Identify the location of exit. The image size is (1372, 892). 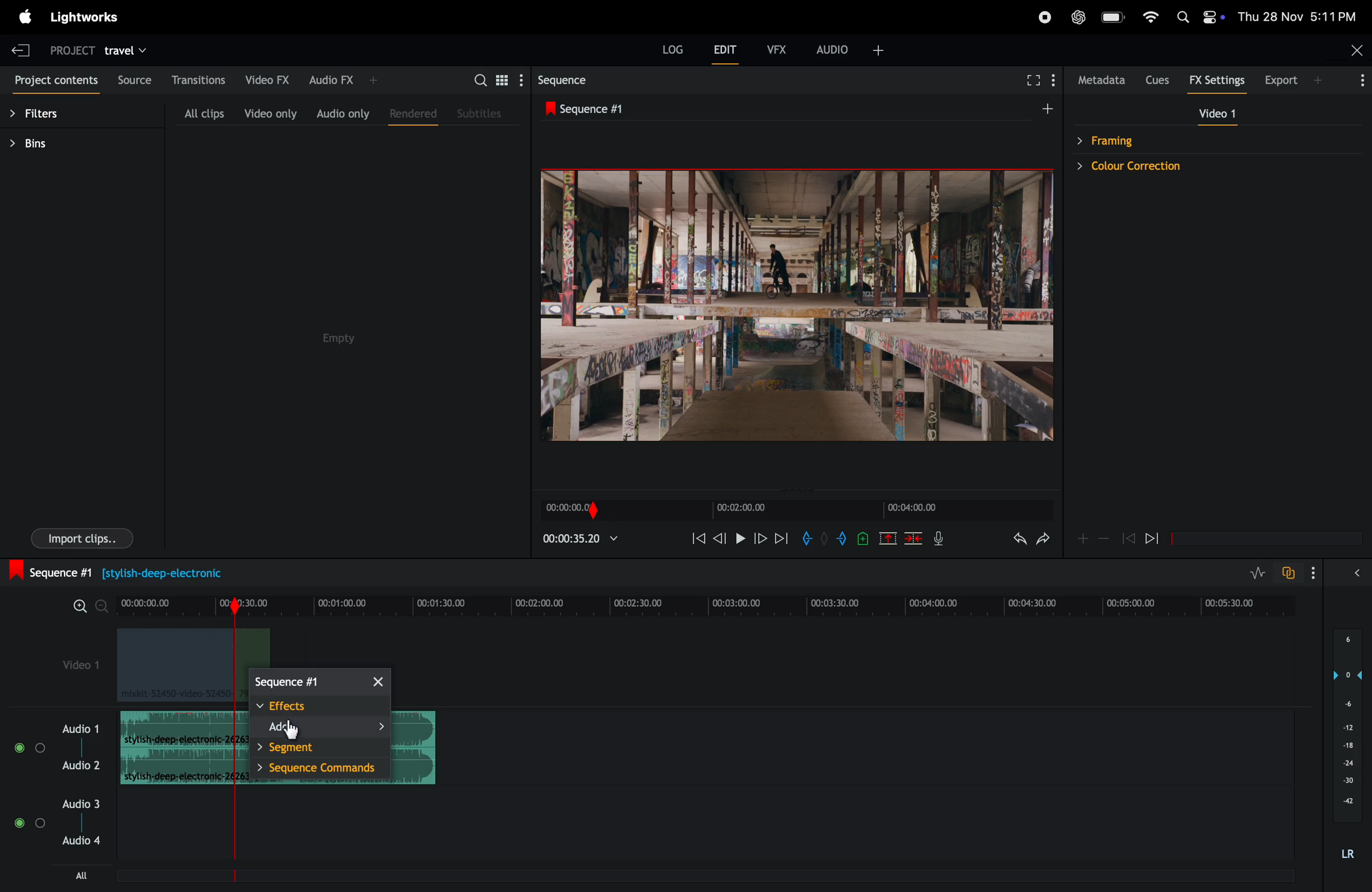
(21, 48).